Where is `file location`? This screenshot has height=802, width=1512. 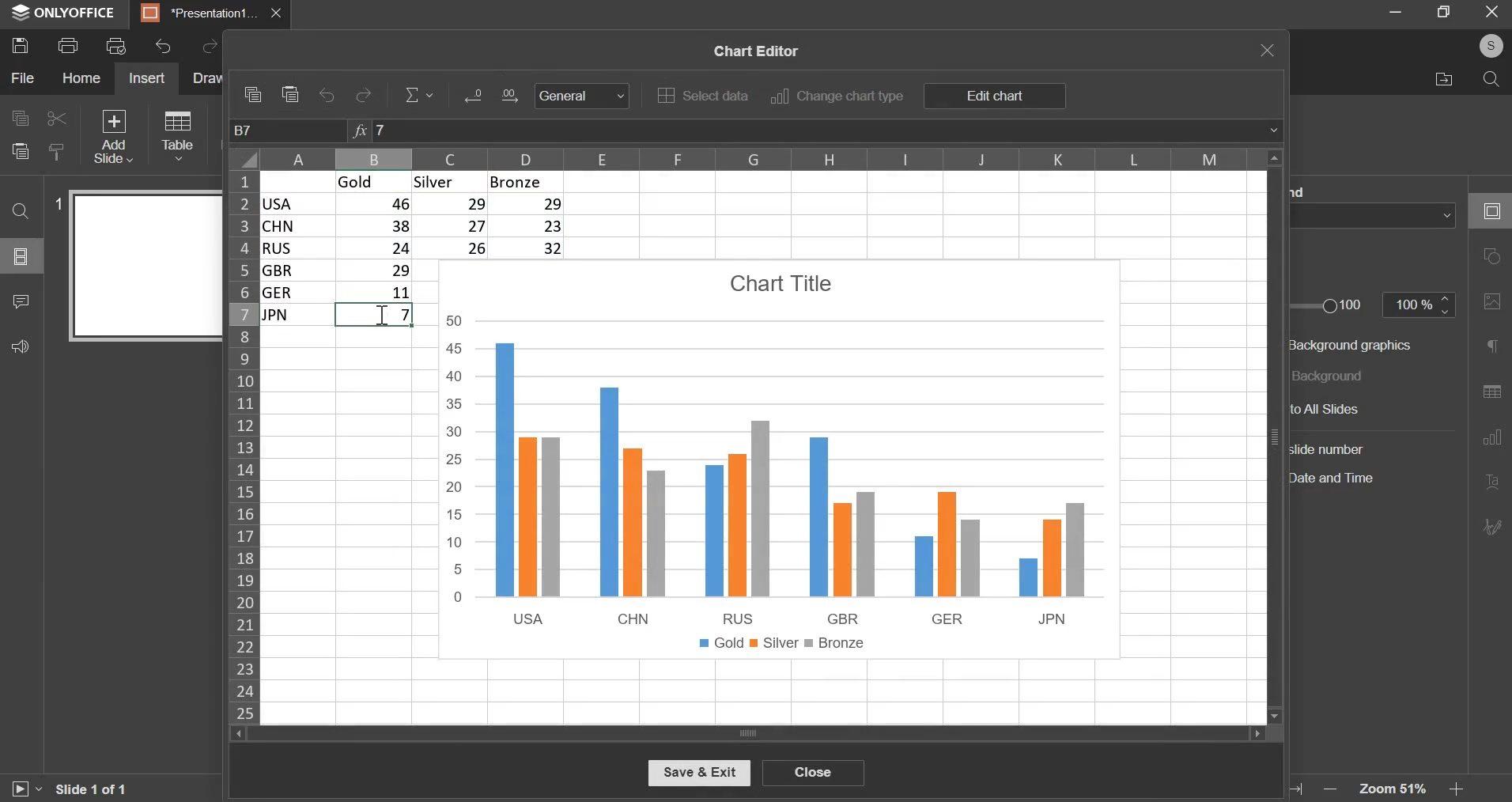 file location is located at coordinates (1444, 78).